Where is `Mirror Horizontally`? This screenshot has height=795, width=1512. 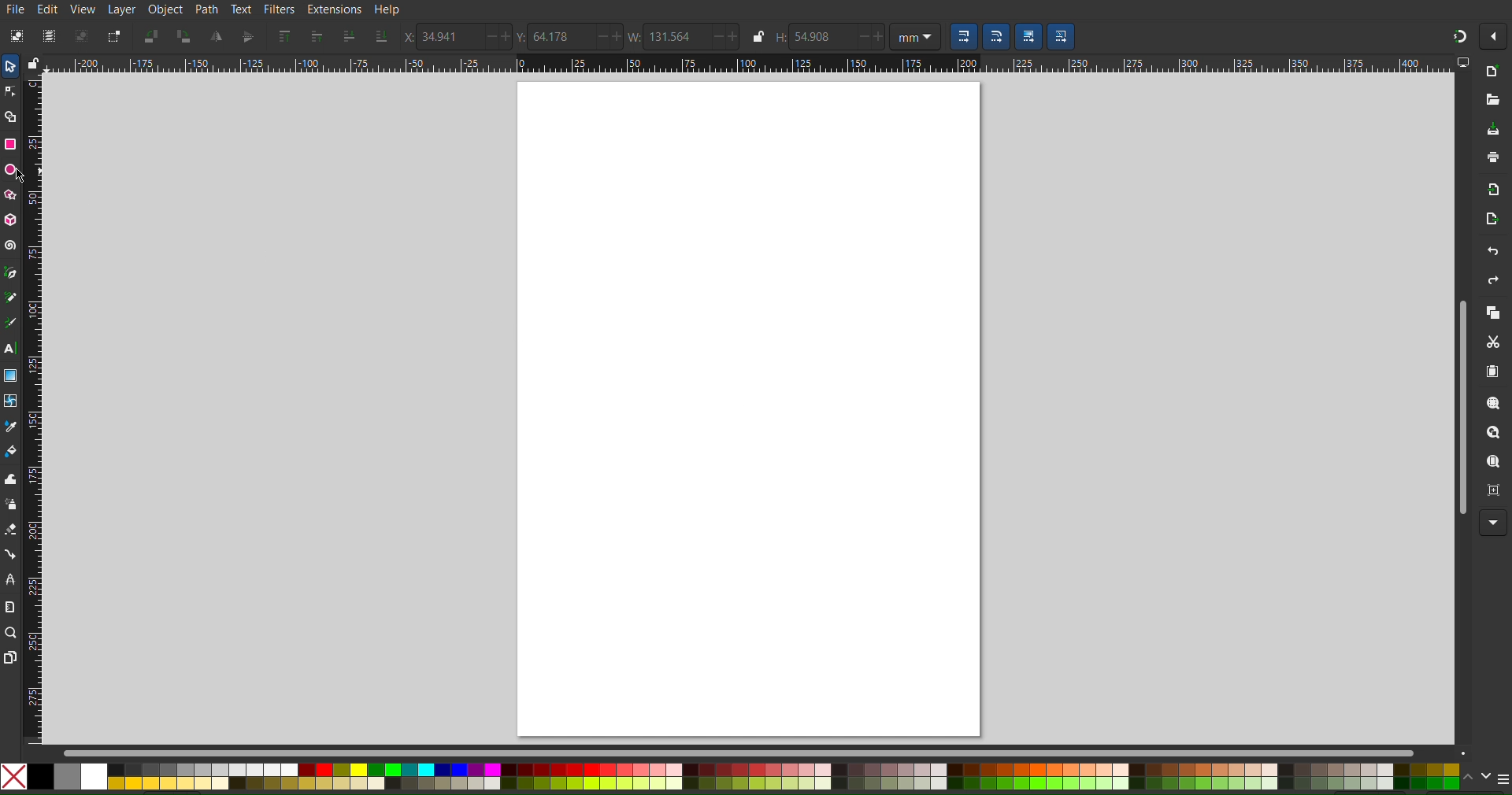
Mirror Horizontally is located at coordinates (247, 36).